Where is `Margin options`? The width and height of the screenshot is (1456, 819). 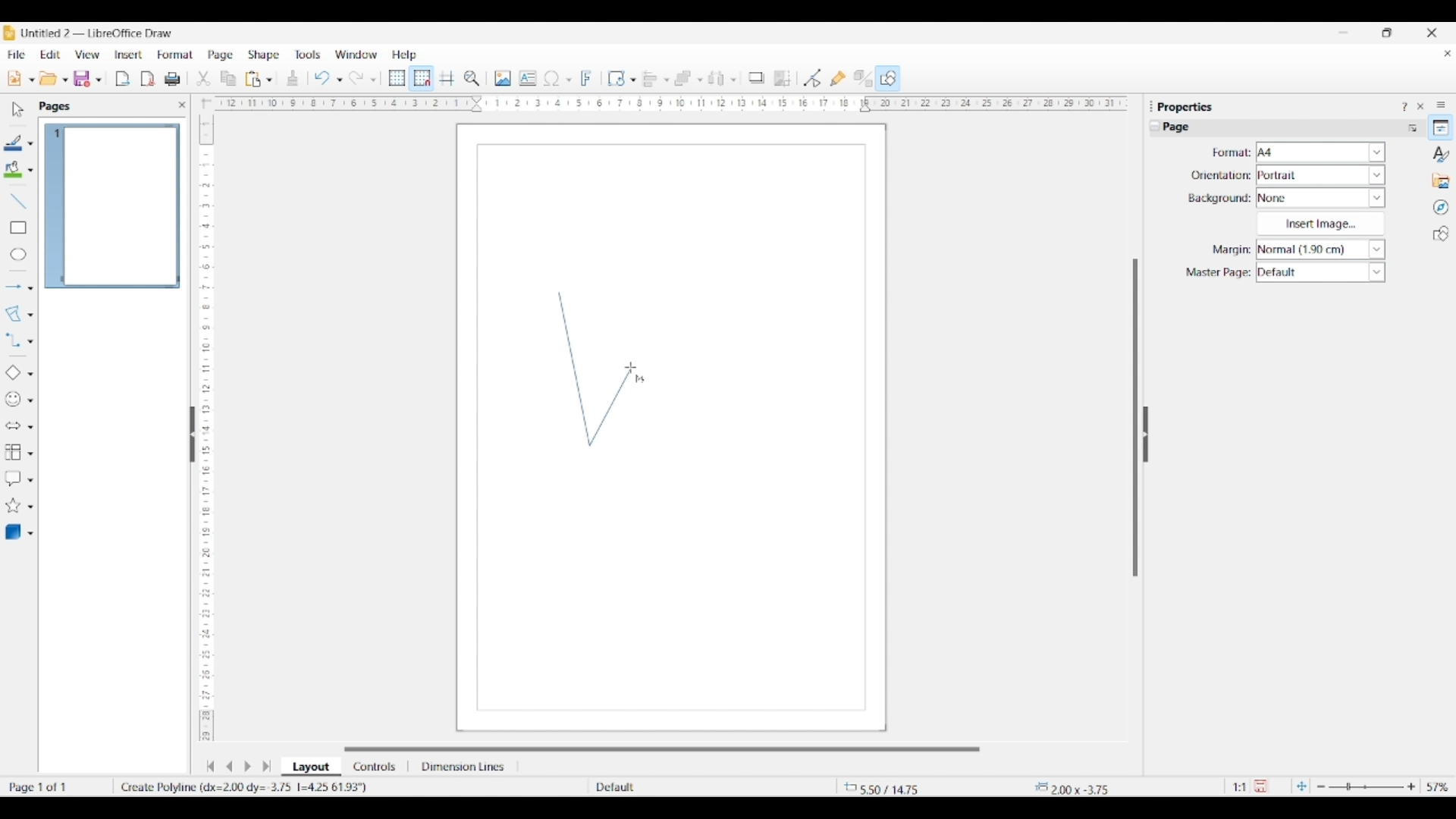 Margin options is located at coordinates (1320, 249).